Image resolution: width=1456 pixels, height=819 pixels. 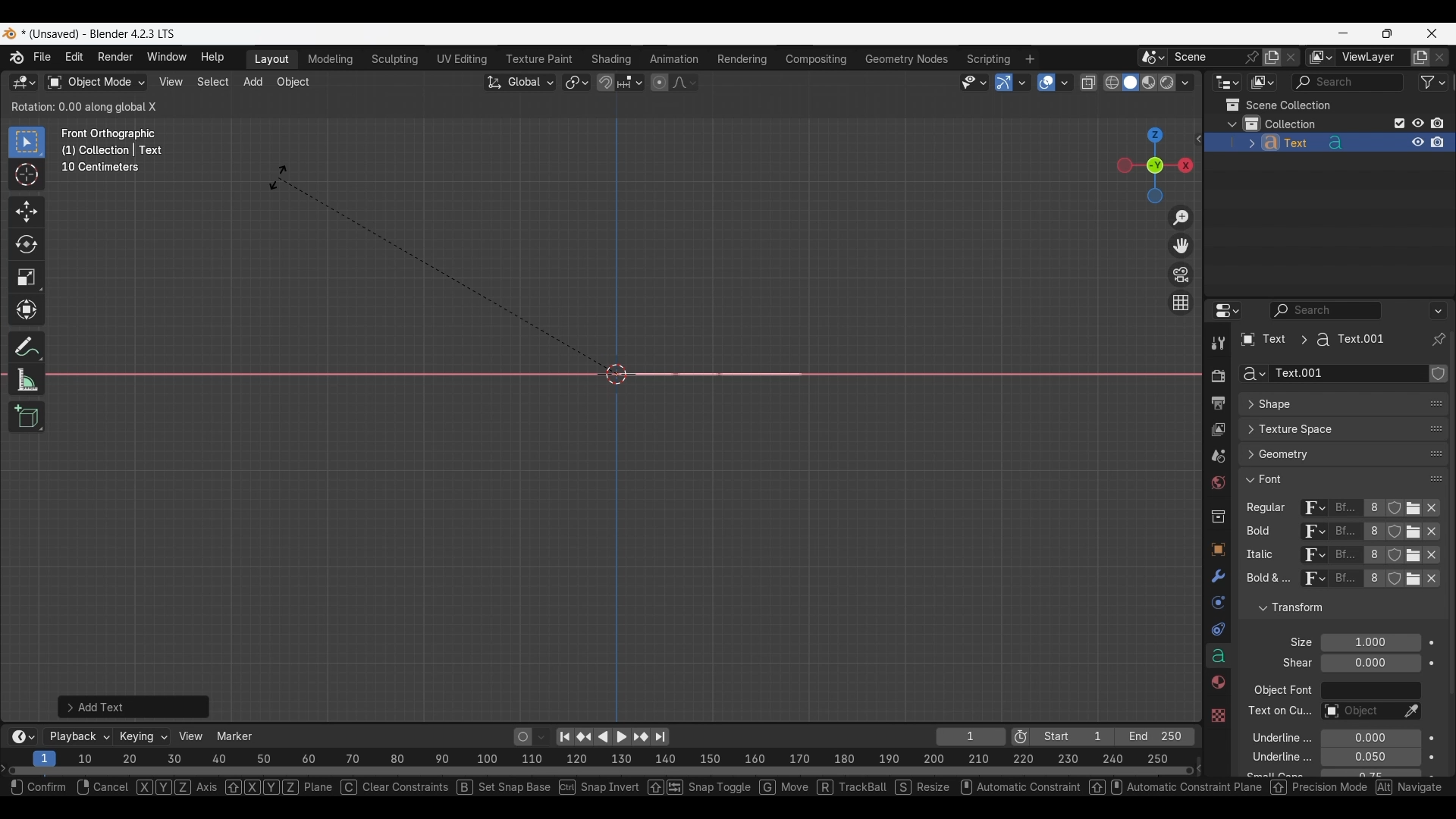 What do you see at coordinates (1218, 343) in the screenshot?
I see `Tool` at bounding box center [1218, 343].